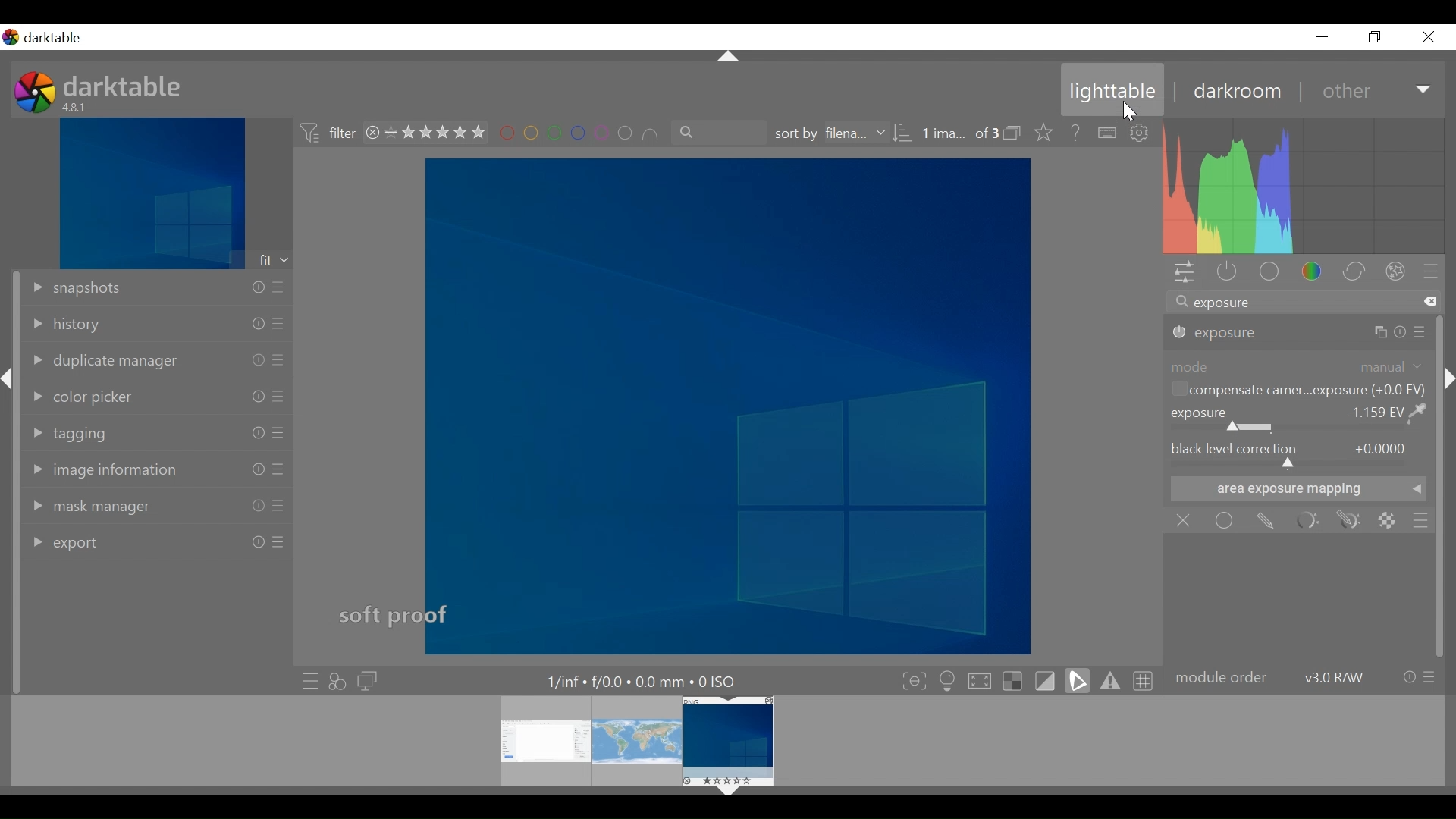  Describe the element at coordinates (368, 681) in the screenshot. I see `display a second darkroom image window` at that location.